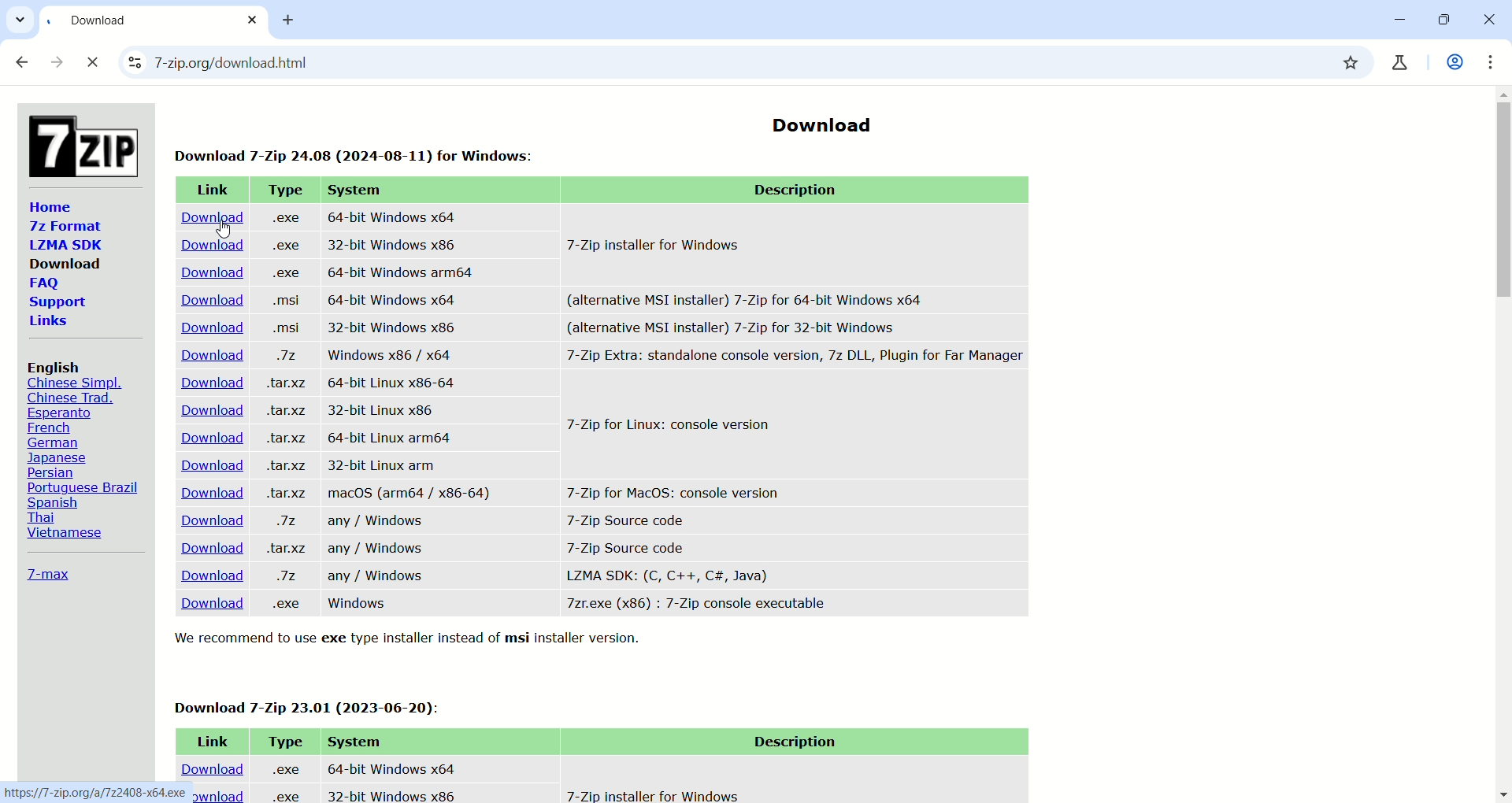 Image resolution: width=1512 pixels, height=803 pixels. What do you see at coordinates (392, 216) in the screenshot?
I see `64-bit Windows x64` at bounding box center [392, 216].